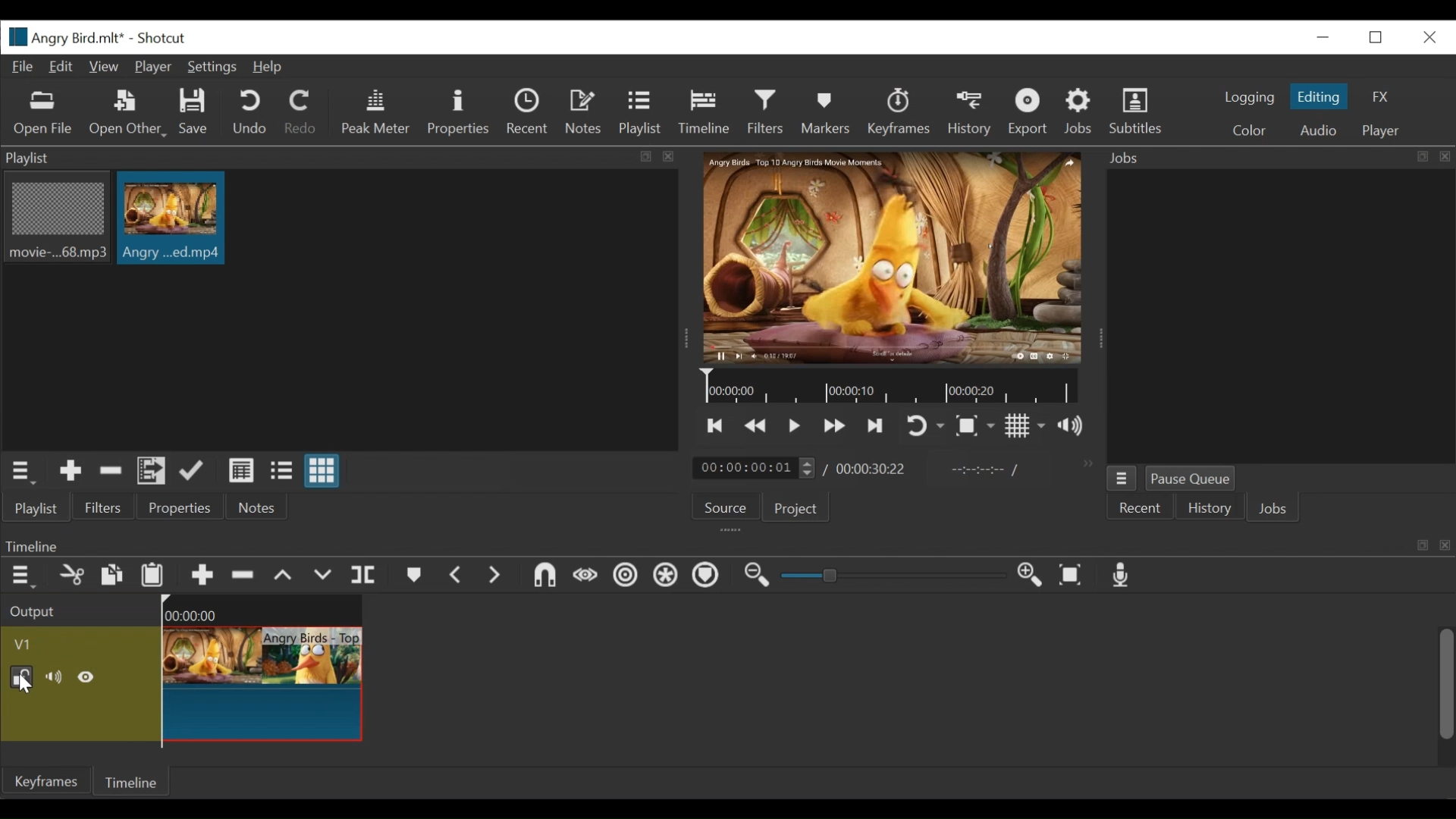 This screenshot has width=1456, height=819. Describe the element at coordinates (263, 683) in the screenshot. I see `Clip` at that location.